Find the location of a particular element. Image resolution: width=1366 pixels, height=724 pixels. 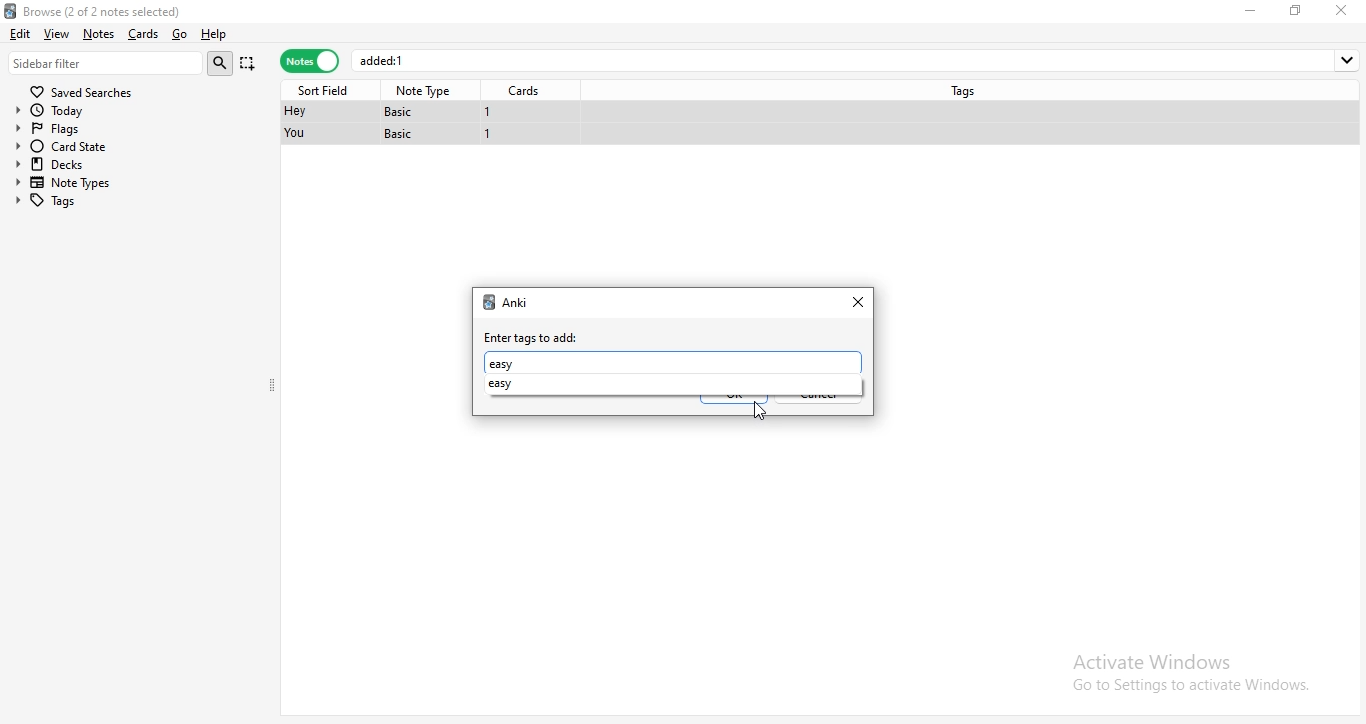

cards is located at coordinates (528, 91).